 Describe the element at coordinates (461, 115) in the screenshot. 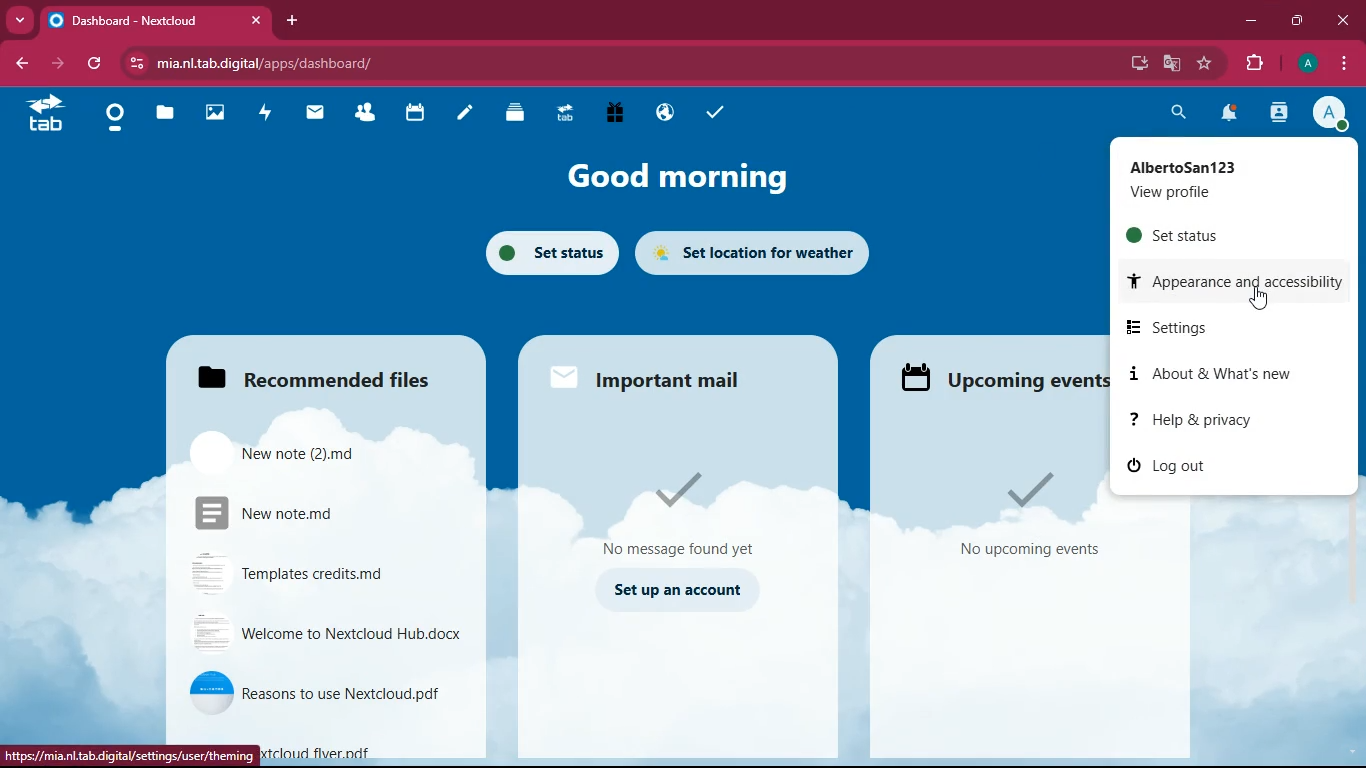

I see `notes` at that location.